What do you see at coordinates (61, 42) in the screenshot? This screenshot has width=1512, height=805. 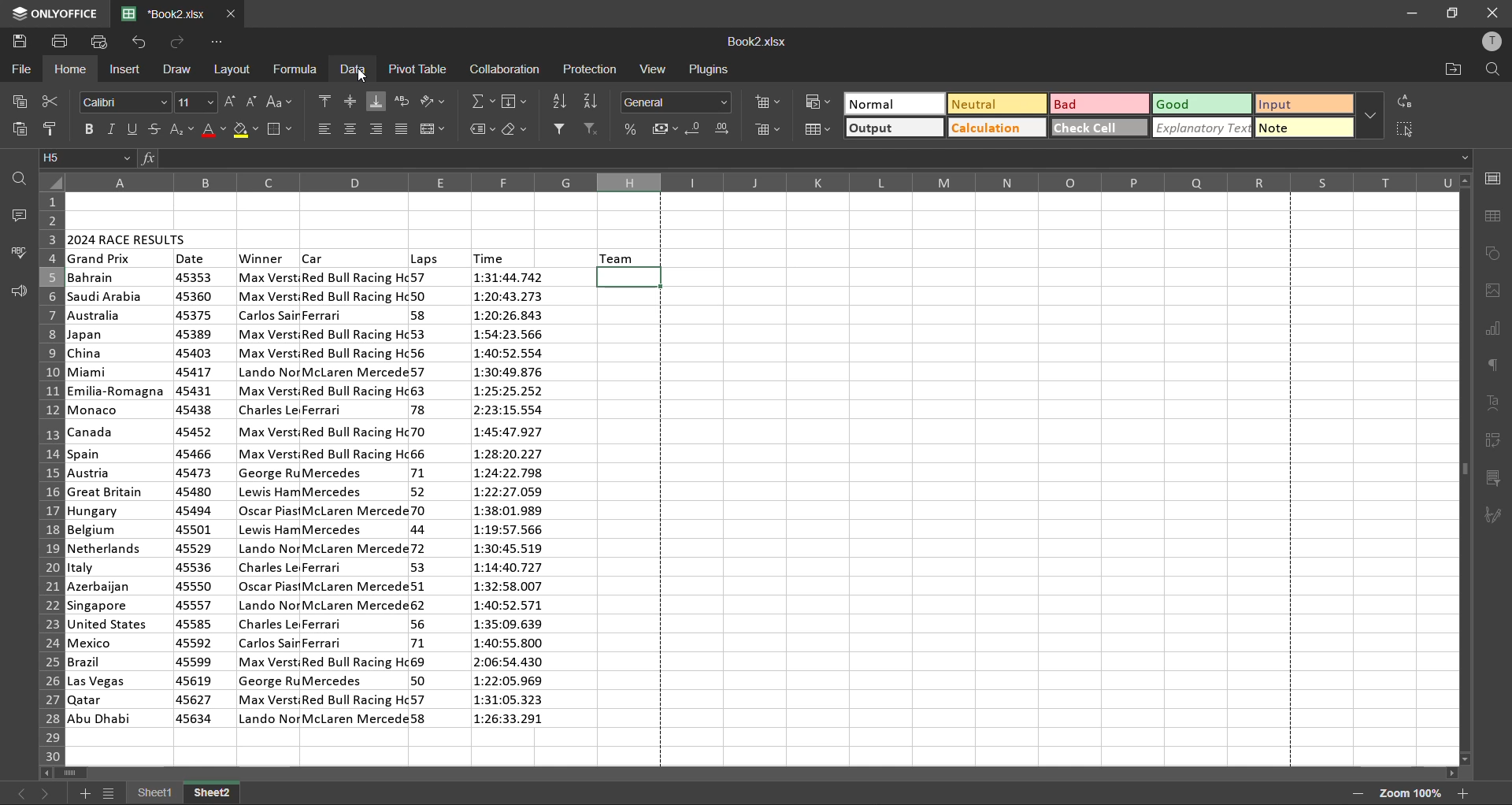 I see `print` at bounding box center [61, 42].